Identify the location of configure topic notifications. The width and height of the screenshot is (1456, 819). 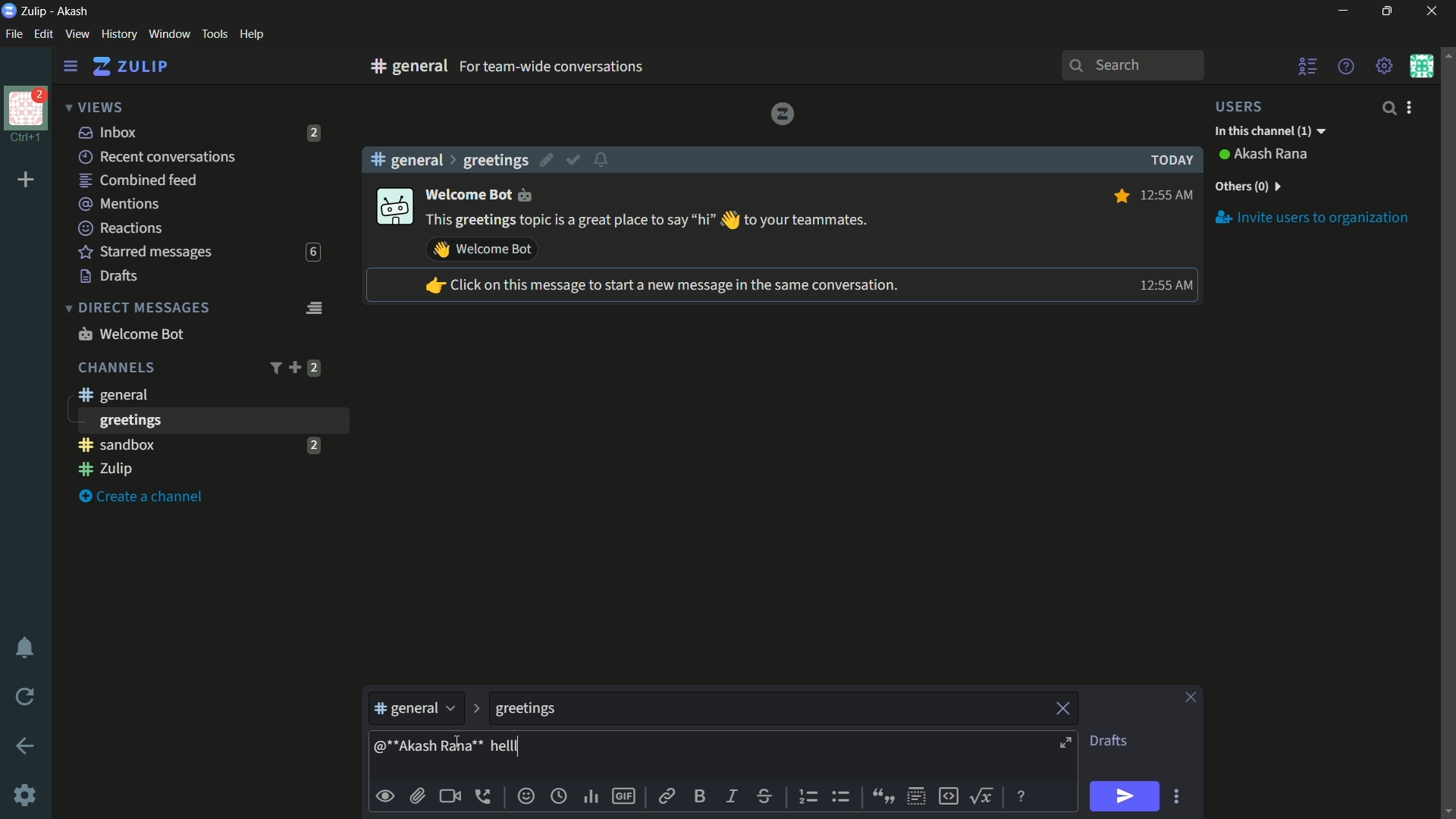
(604, 158).